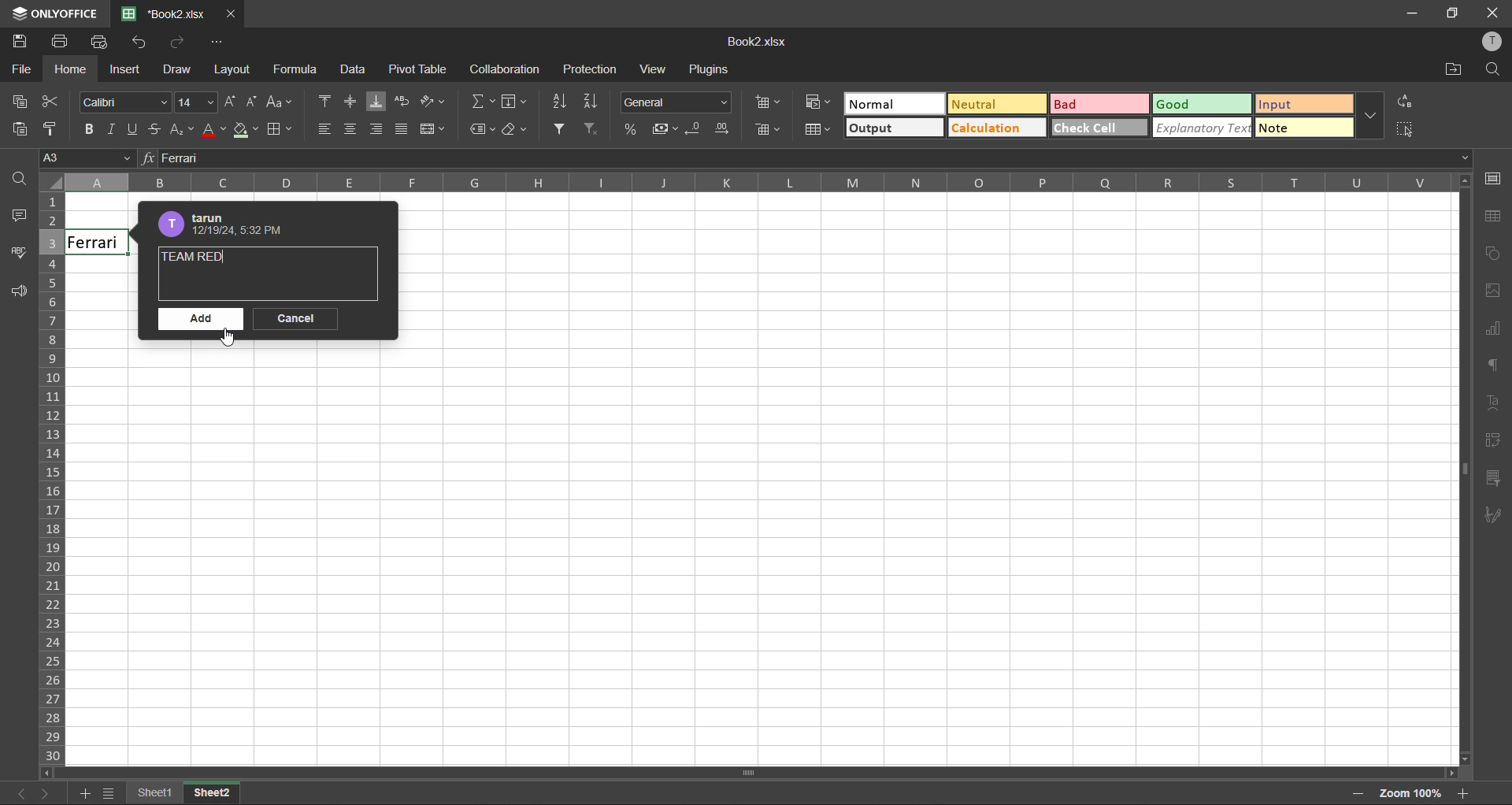 The height and width of the screenshot is (805, 1512). I want to click on profile and datestamp, so click(227, 224).